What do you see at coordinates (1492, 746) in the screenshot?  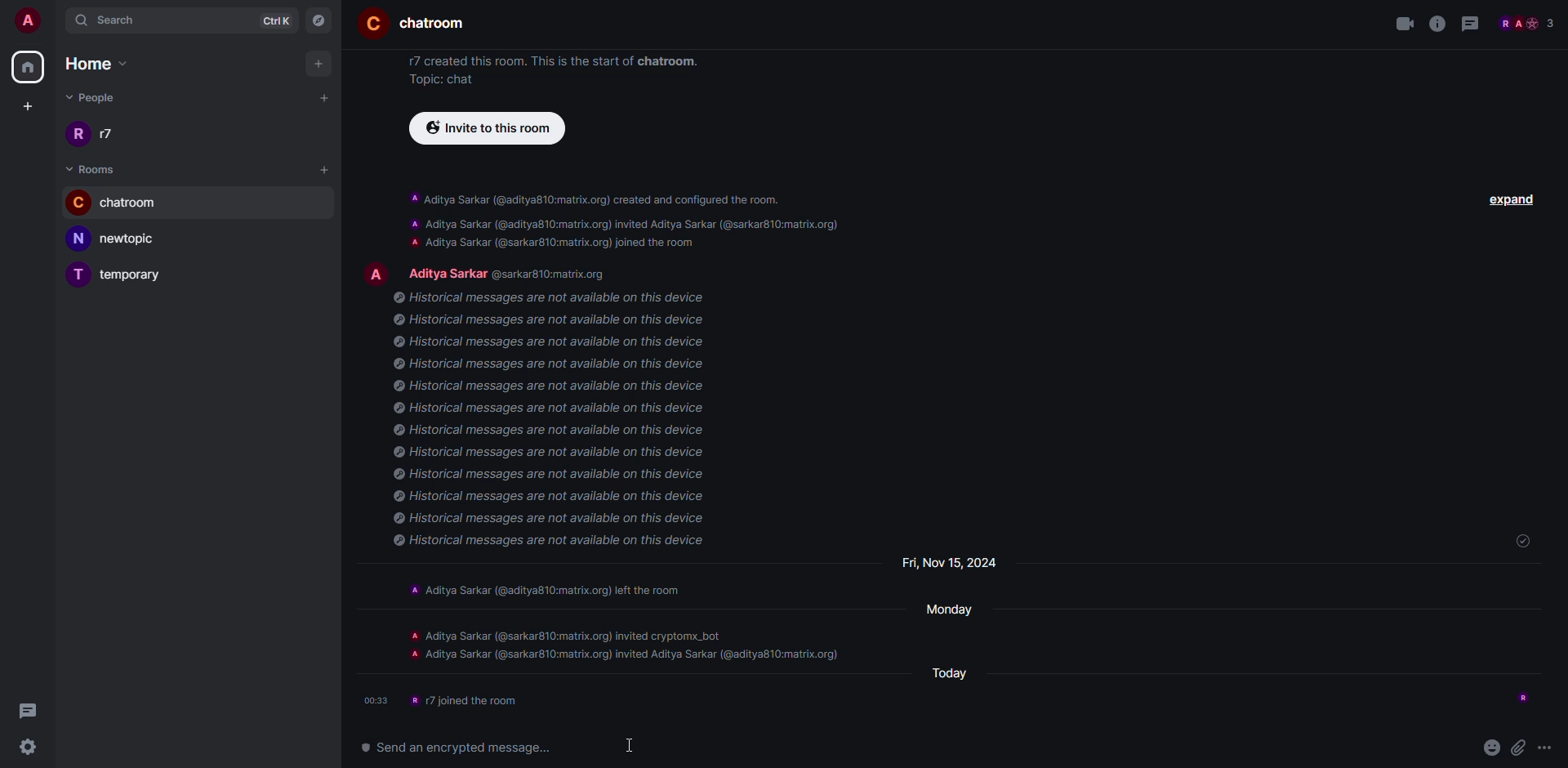 I see `emoji` at bounding box center [1492, 746].